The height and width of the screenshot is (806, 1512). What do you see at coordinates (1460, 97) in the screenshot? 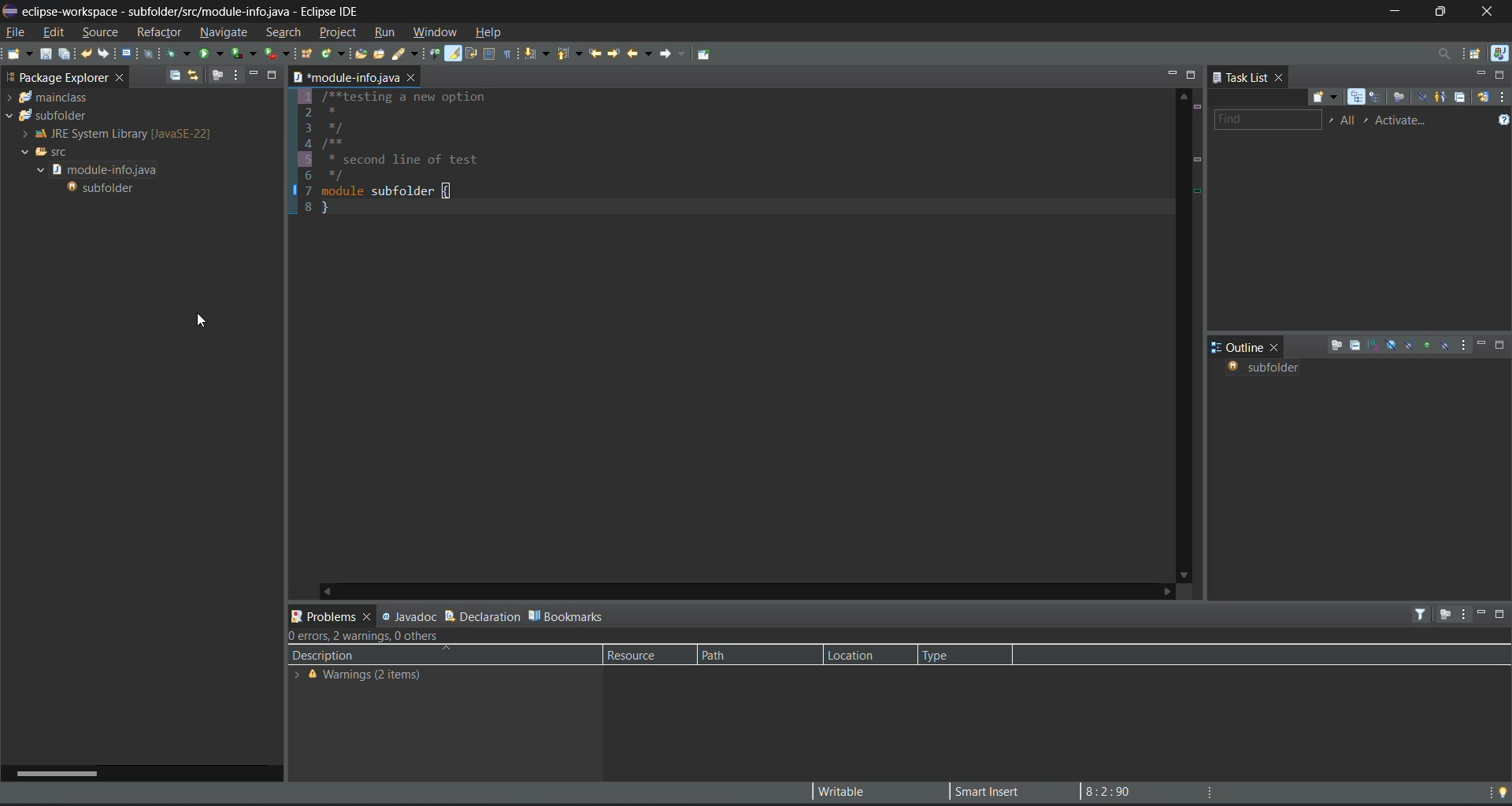
I see `collapse all` at bounding box center [1460, 97].